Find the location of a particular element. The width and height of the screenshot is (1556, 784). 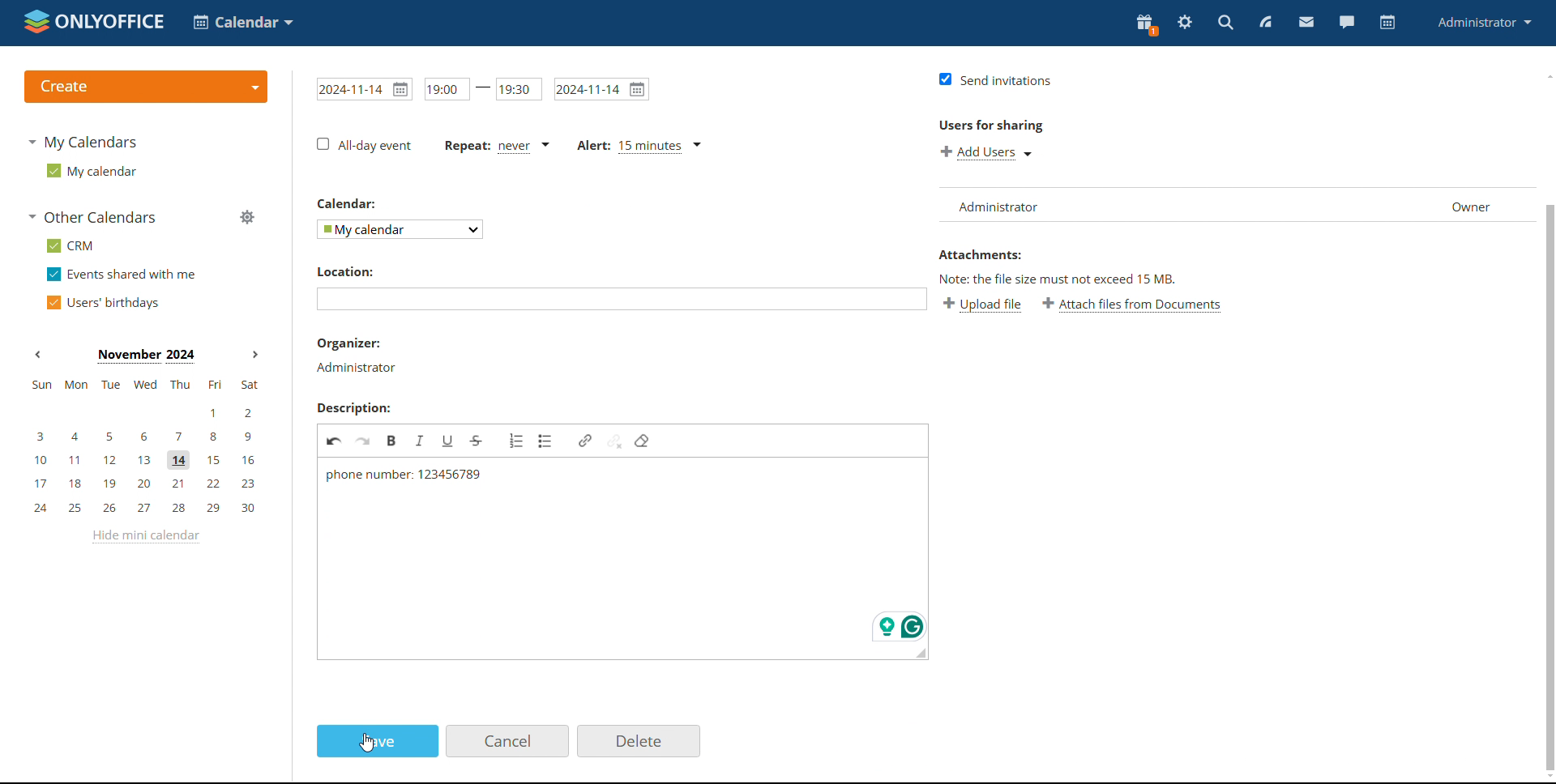

text is located at coordinates (1058, 279).